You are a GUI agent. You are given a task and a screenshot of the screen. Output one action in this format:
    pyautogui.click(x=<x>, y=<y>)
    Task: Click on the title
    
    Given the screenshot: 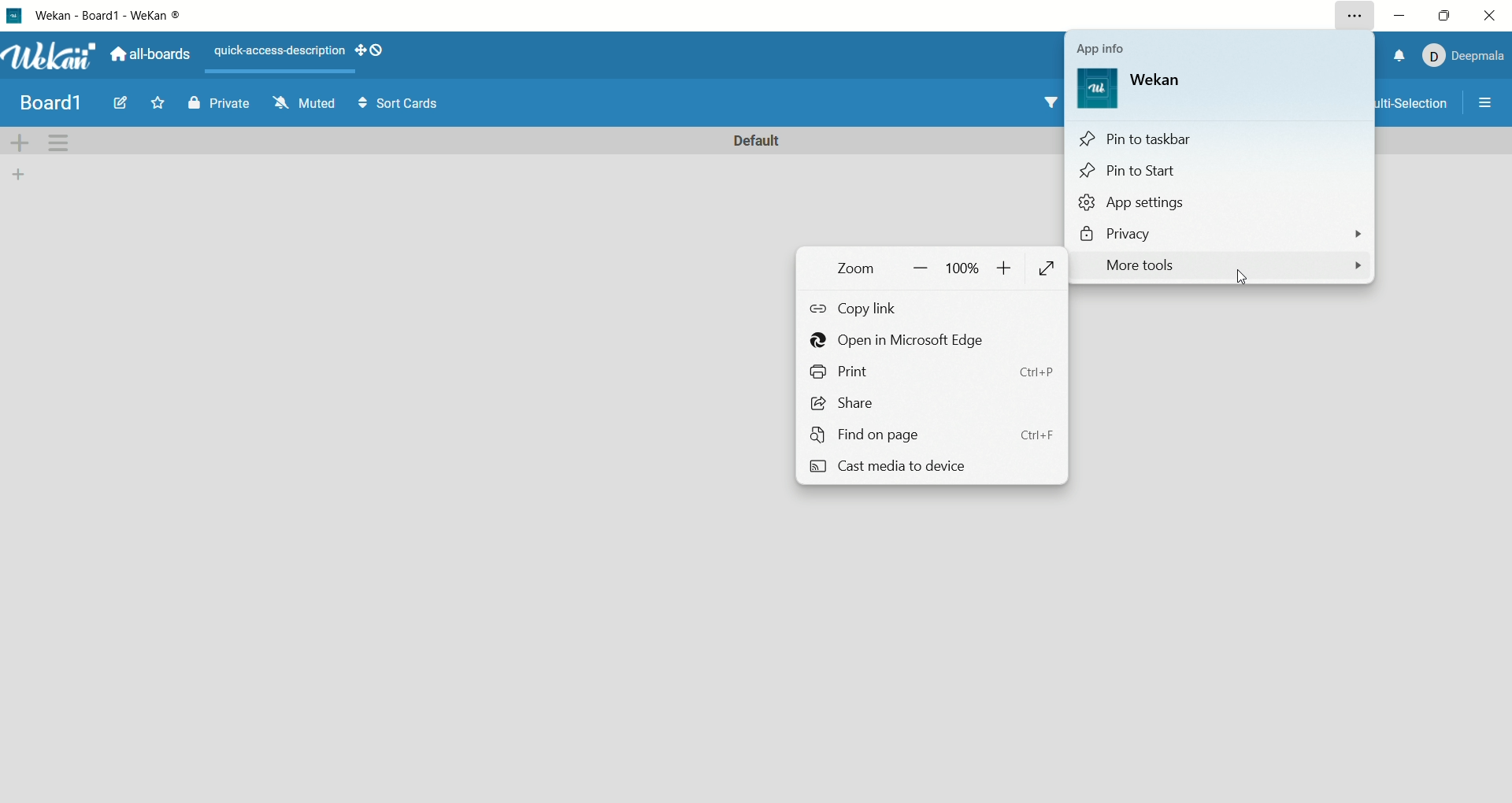 What is the action you would take?
    pyautogui.click(x=50, y=102)
    